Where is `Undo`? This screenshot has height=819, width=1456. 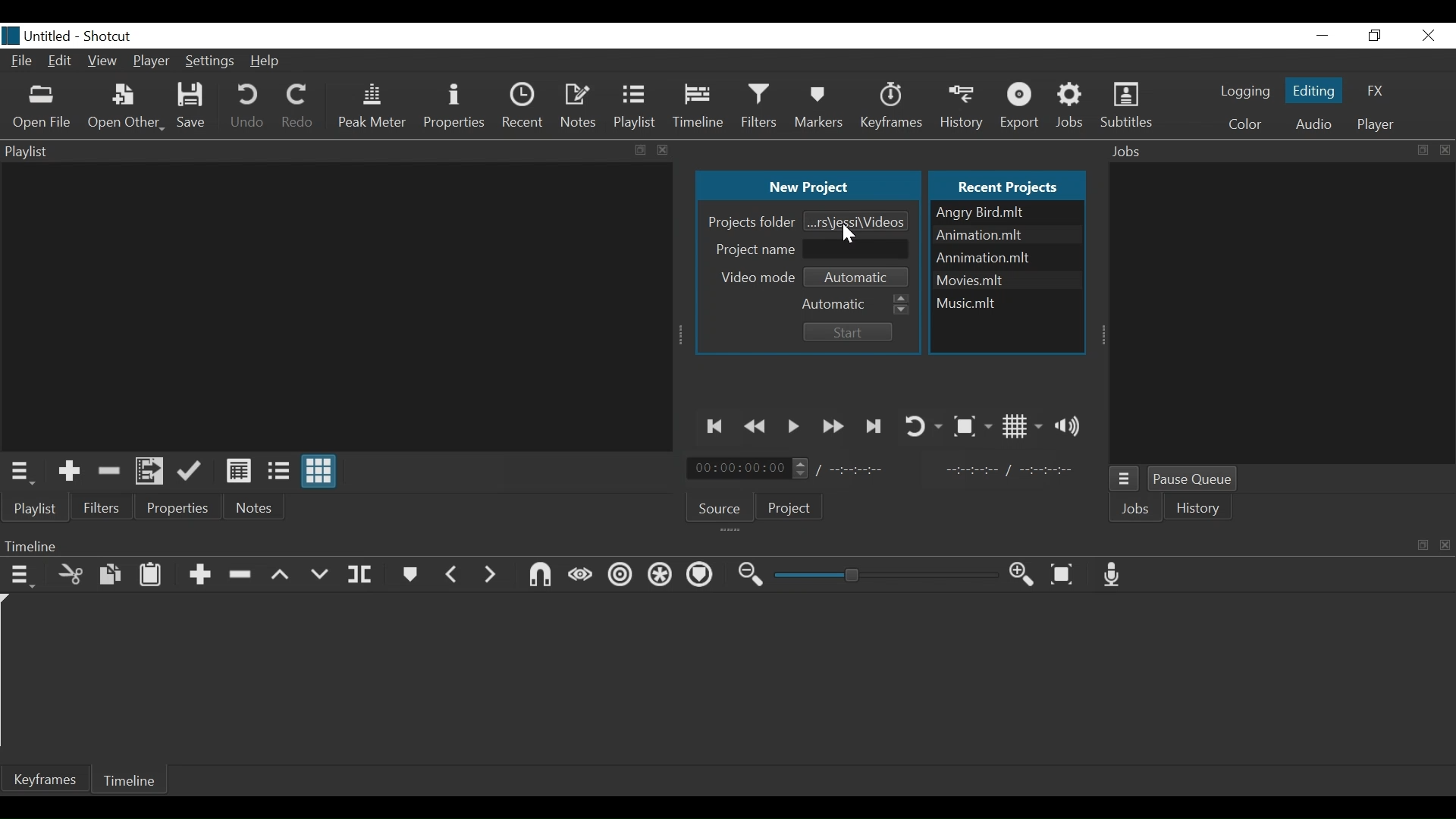 Undo is located at coordinates (247, 108).